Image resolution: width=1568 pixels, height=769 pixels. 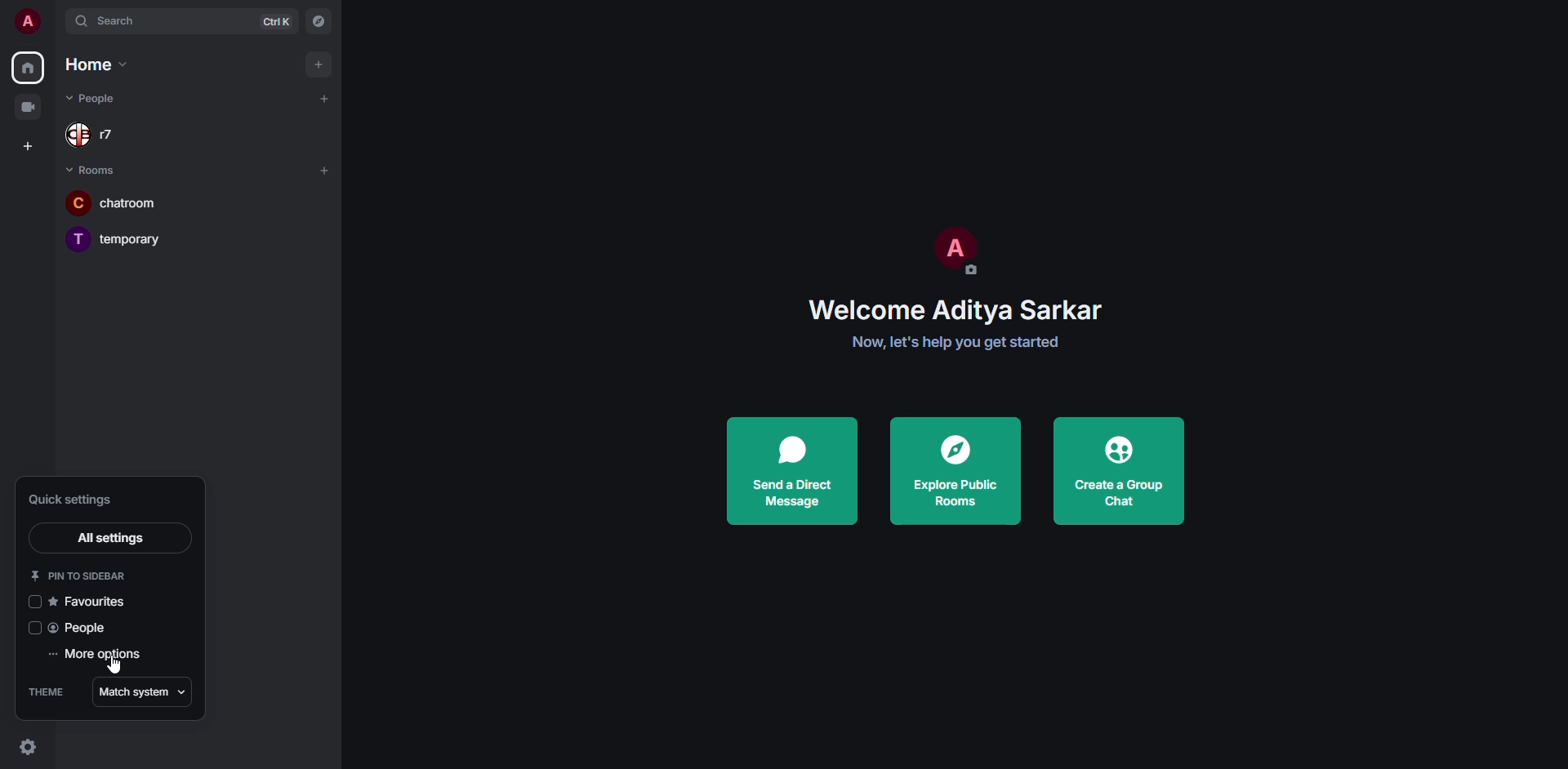 What do you see at coordinates (962, 343) in the screenshot?
I see `get started` at bounding box center [962, 343].